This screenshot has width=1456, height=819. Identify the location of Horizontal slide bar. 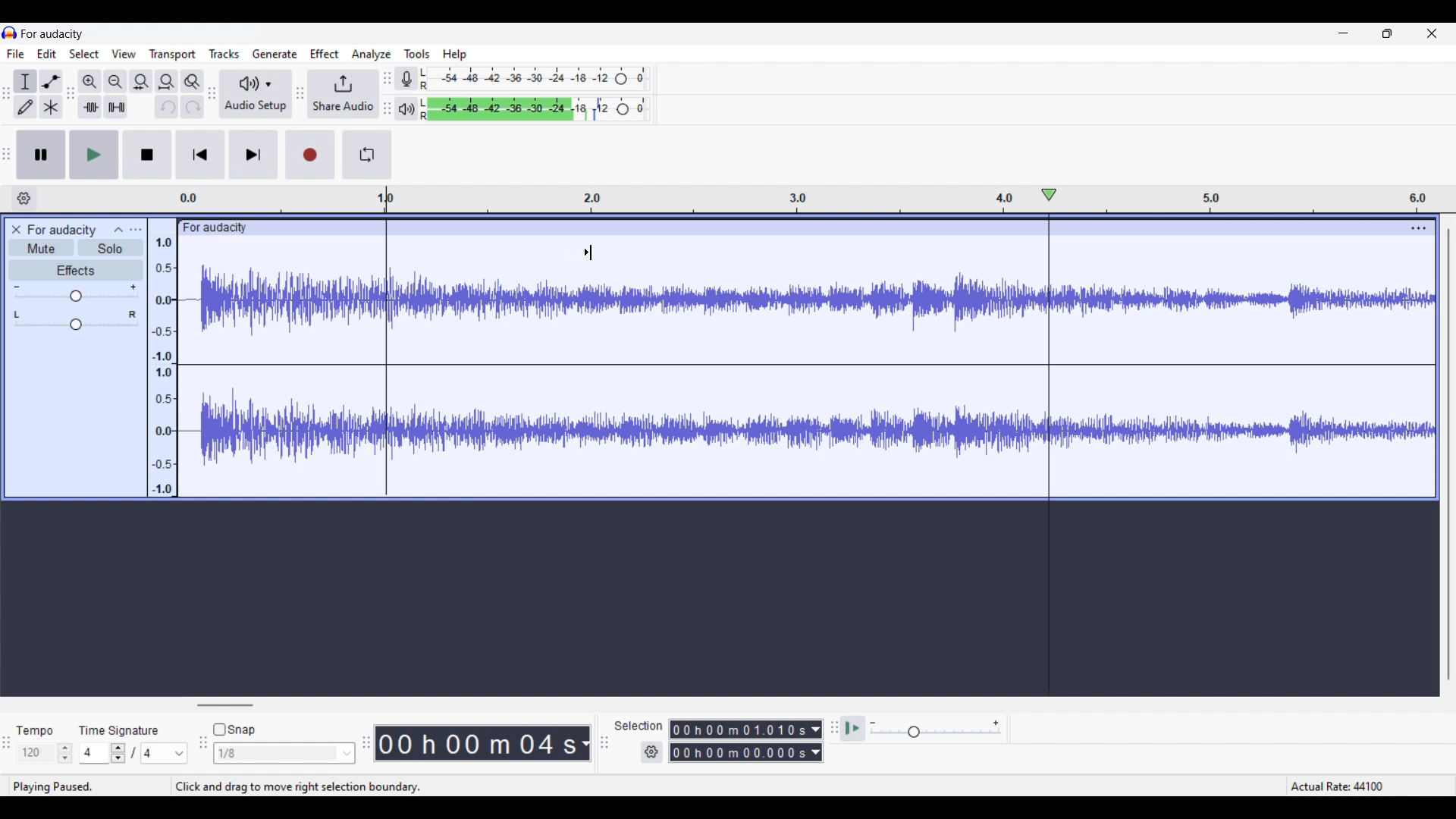
(224, 705).